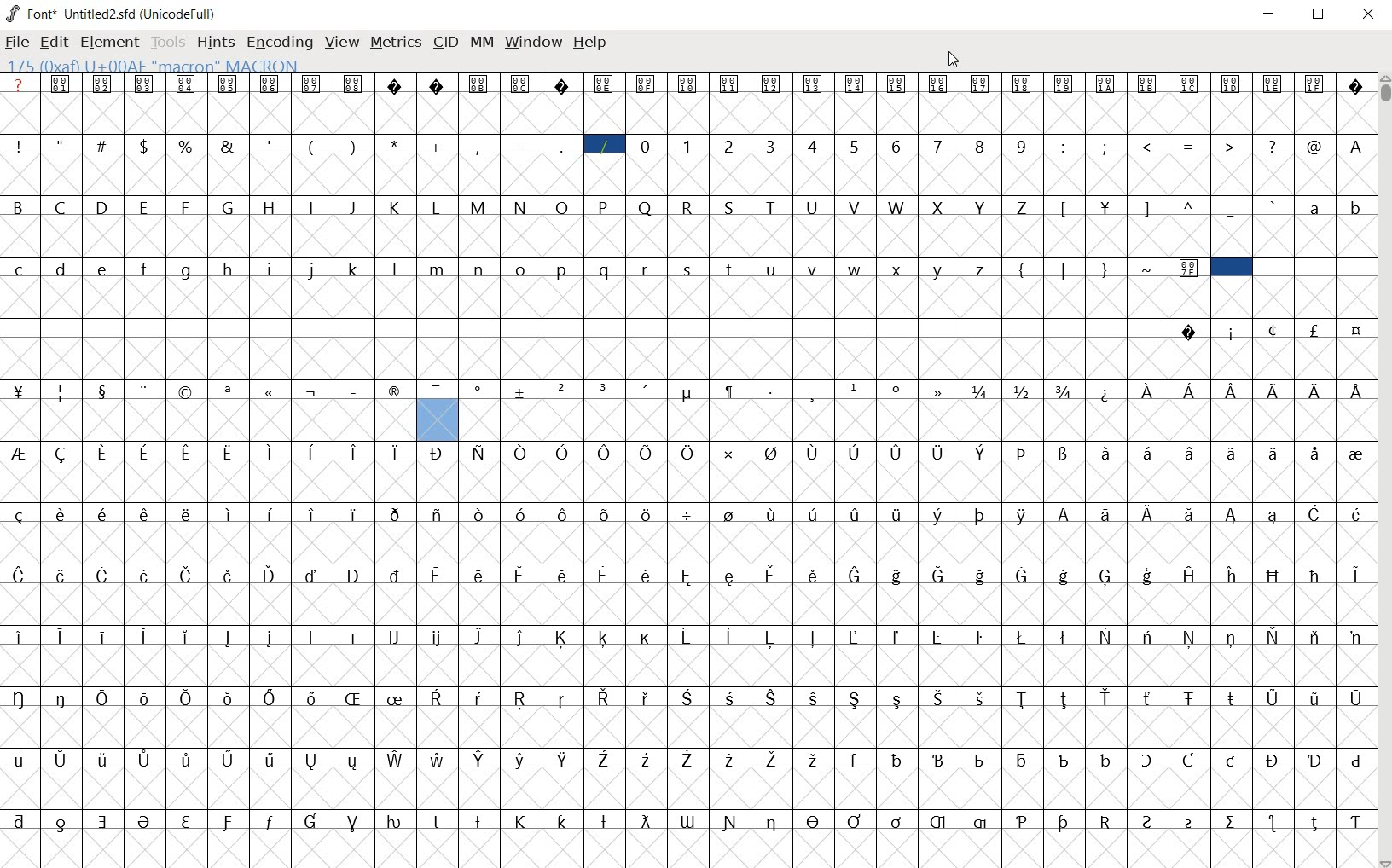 The image size is (1392, 868). I want to click on 7, so click(938, 145).